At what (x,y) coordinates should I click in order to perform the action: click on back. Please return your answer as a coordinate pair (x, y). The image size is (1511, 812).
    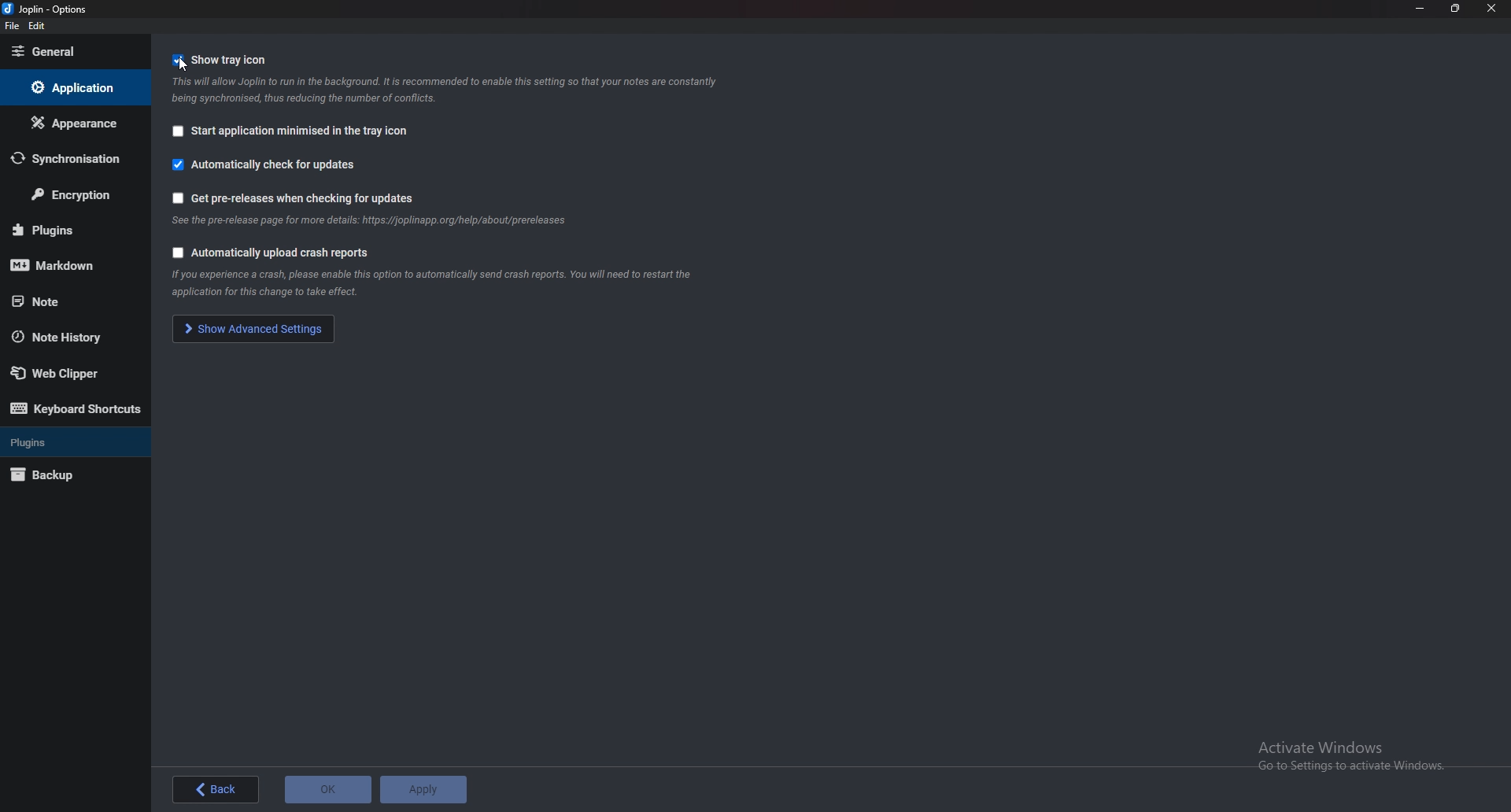
    Looking at the image, I should click on (216, 789).